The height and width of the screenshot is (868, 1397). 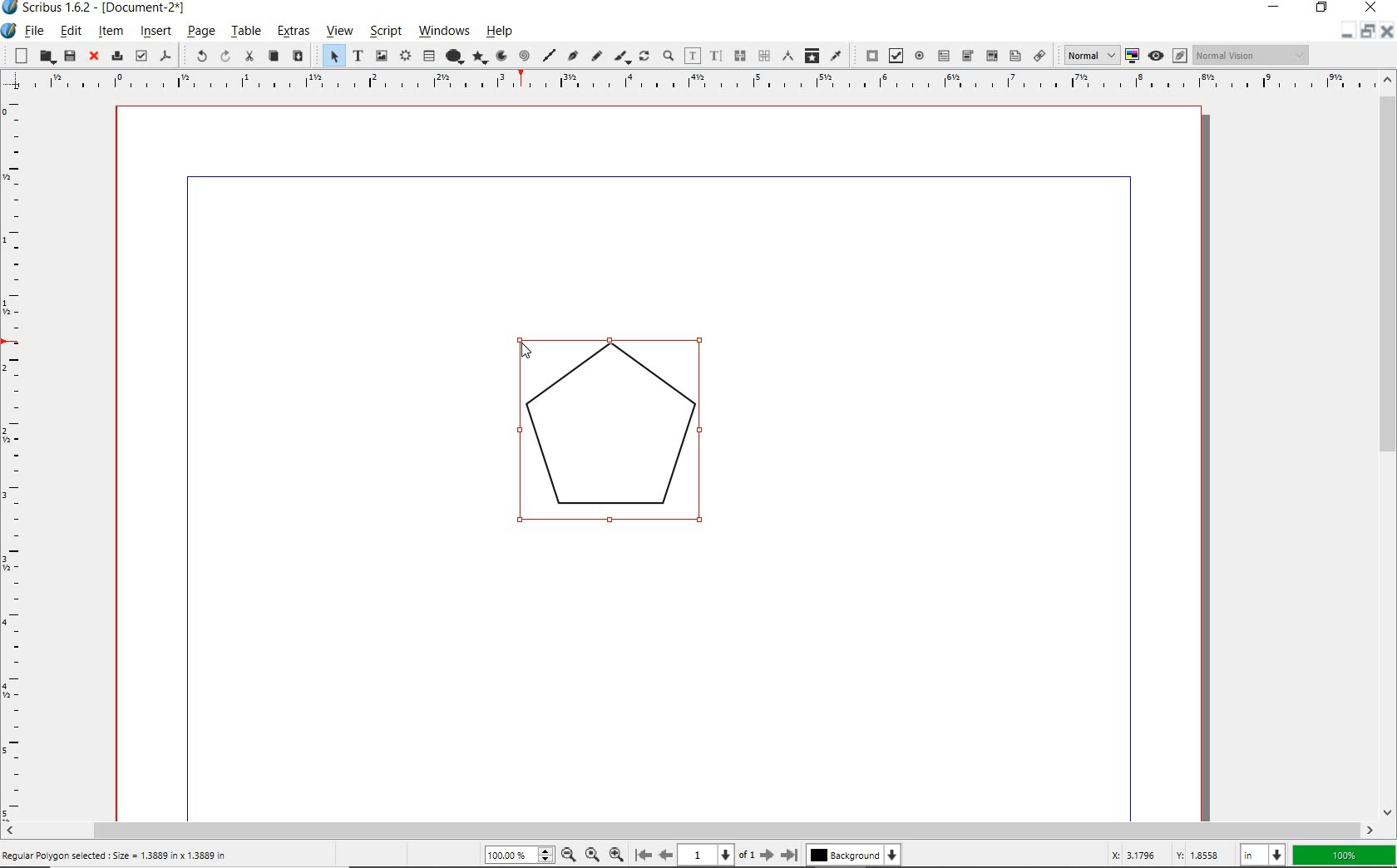 What do you see at coordinates (618, 854) in the screenshot?
I see `Zoom In` at bounding box center [618, 854].